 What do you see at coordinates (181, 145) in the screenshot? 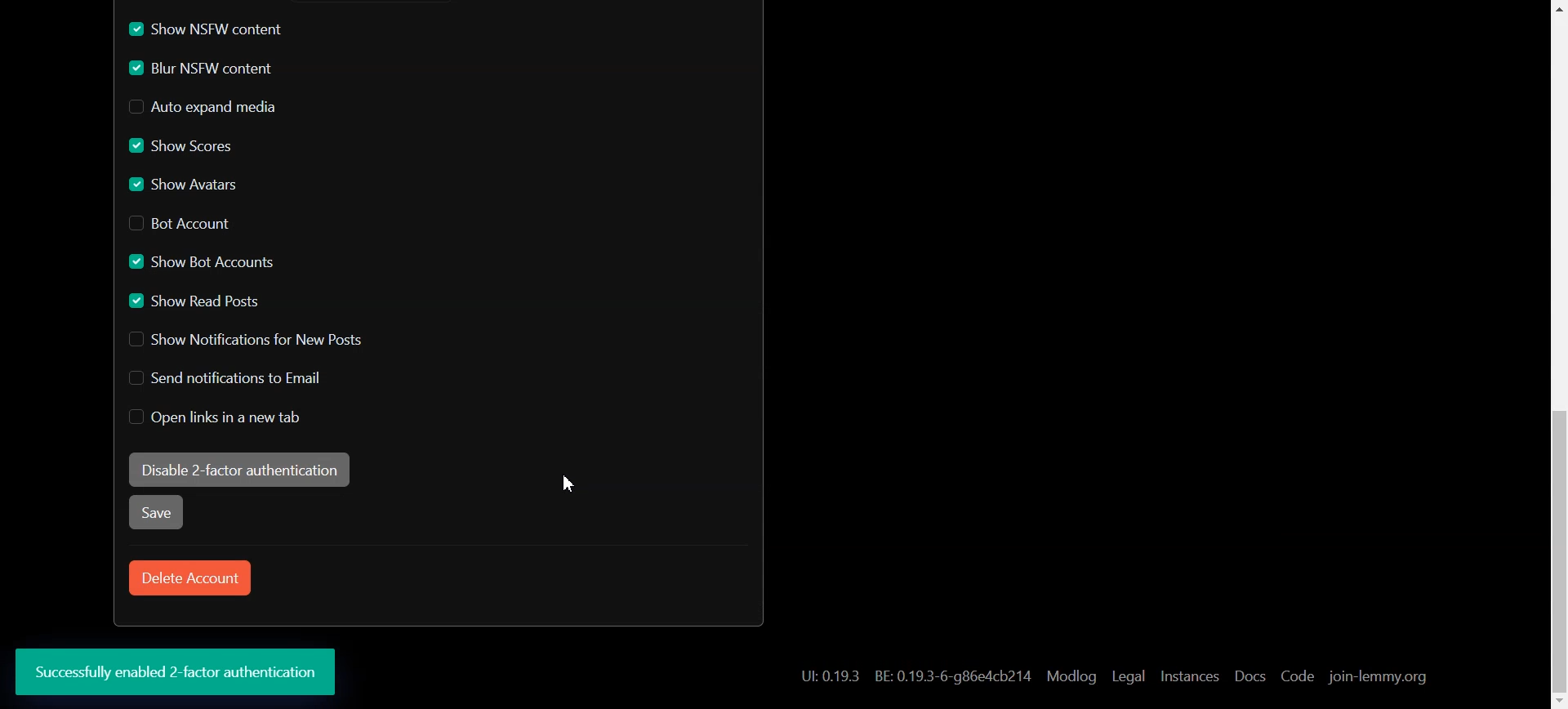
I see `Enable Show Scores` at bounding box center [181, 145].